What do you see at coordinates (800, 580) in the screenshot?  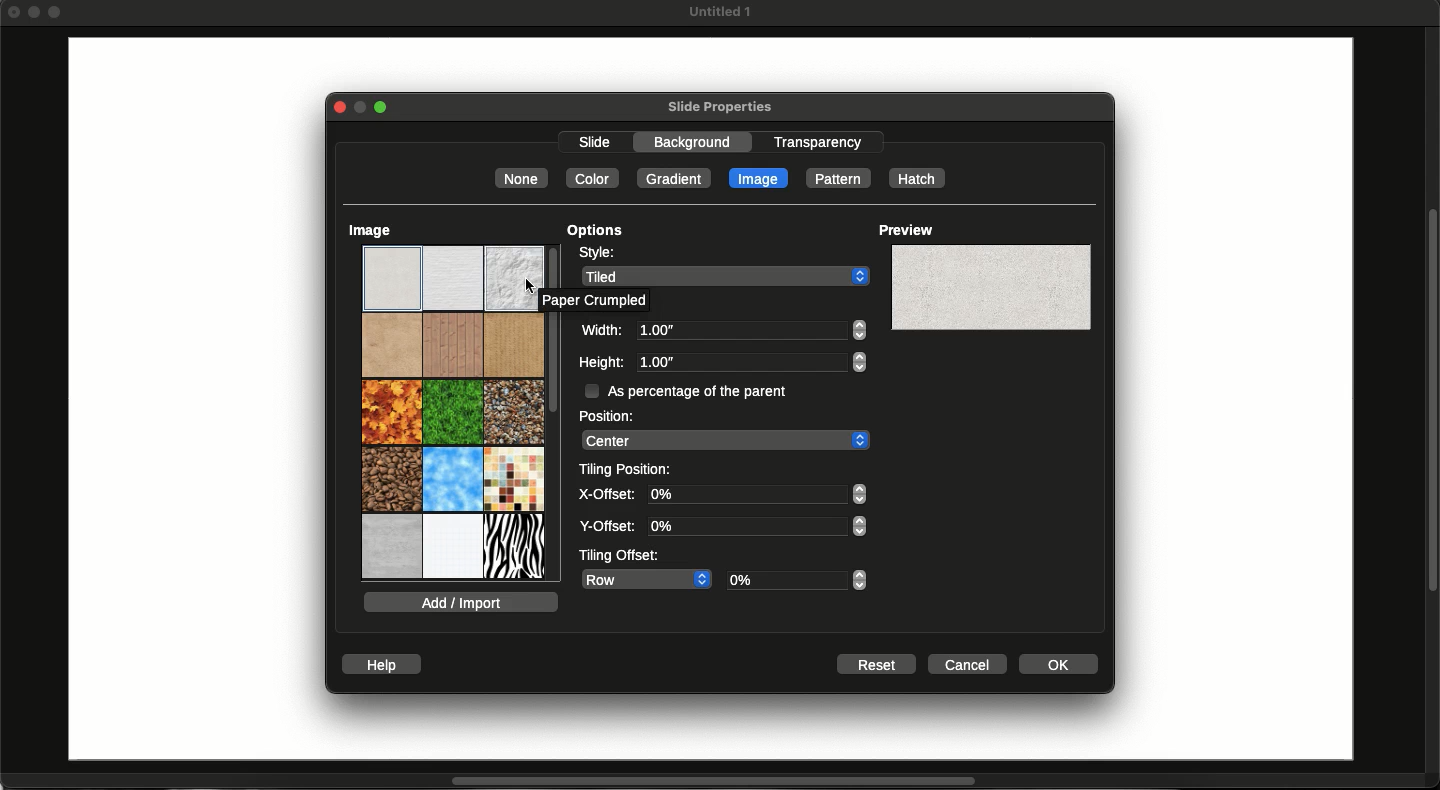 I see `0%` at bounding box center [800, 580].